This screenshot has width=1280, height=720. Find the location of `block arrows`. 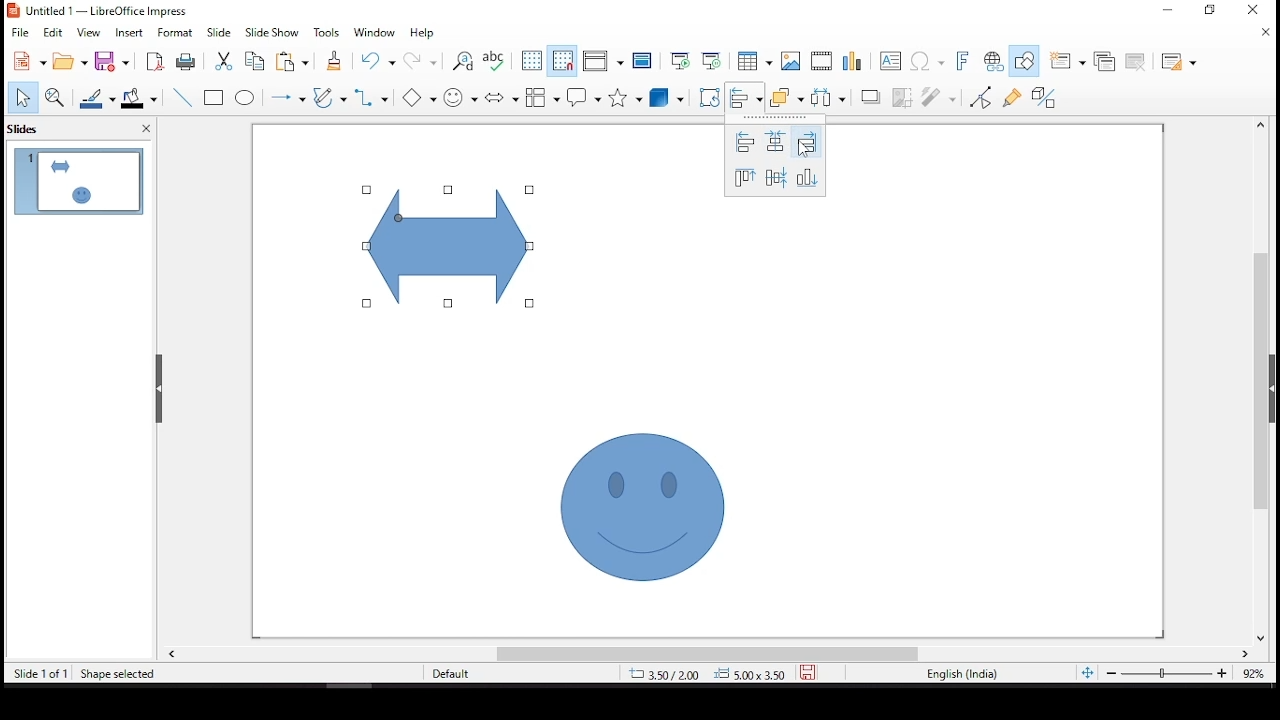

block arrows is located at coordinates (500, 94).